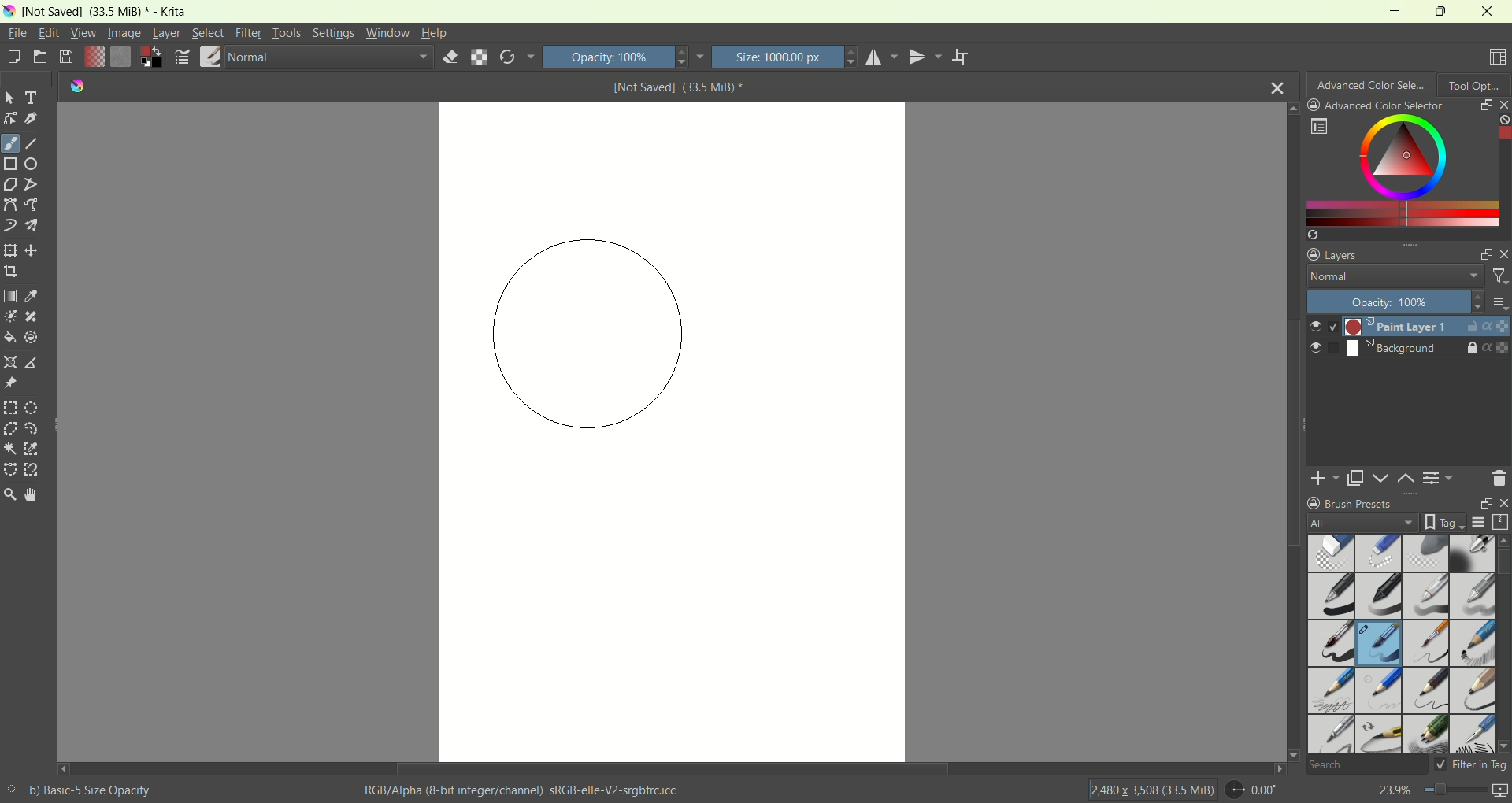 The image size is (1512, 803). Describe the element at coordinates (387, 33) in the screenshot. I see `window` at that location.